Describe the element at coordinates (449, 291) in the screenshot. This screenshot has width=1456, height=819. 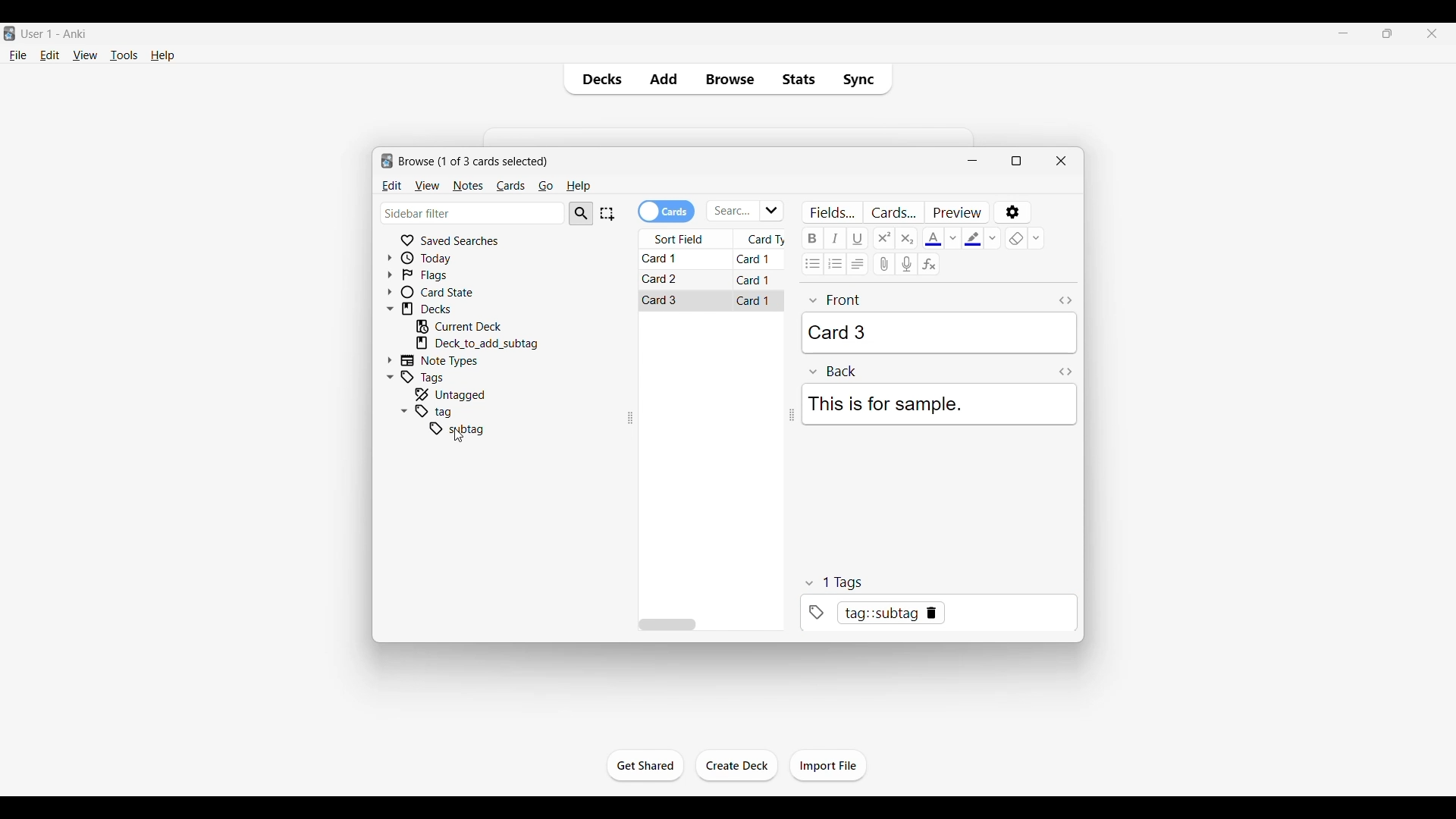
I see `Click to go to card state` at that location.